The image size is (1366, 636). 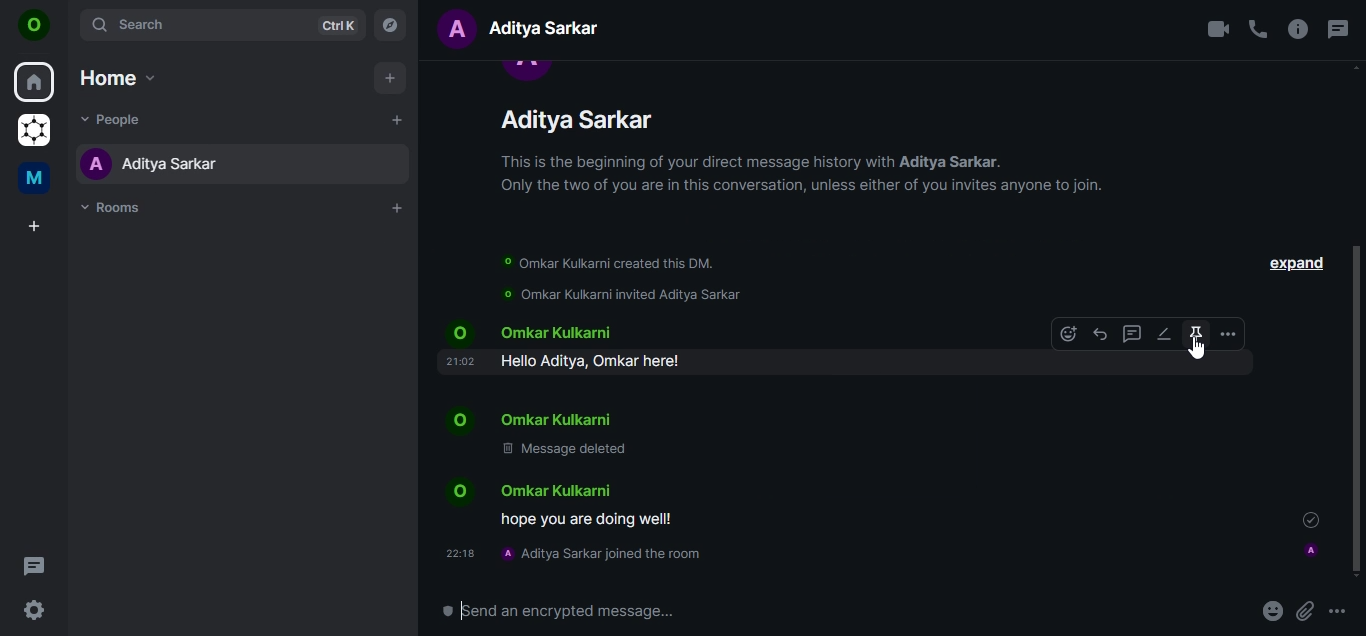 I want to click on quick settings, so click(x=41, y=611).